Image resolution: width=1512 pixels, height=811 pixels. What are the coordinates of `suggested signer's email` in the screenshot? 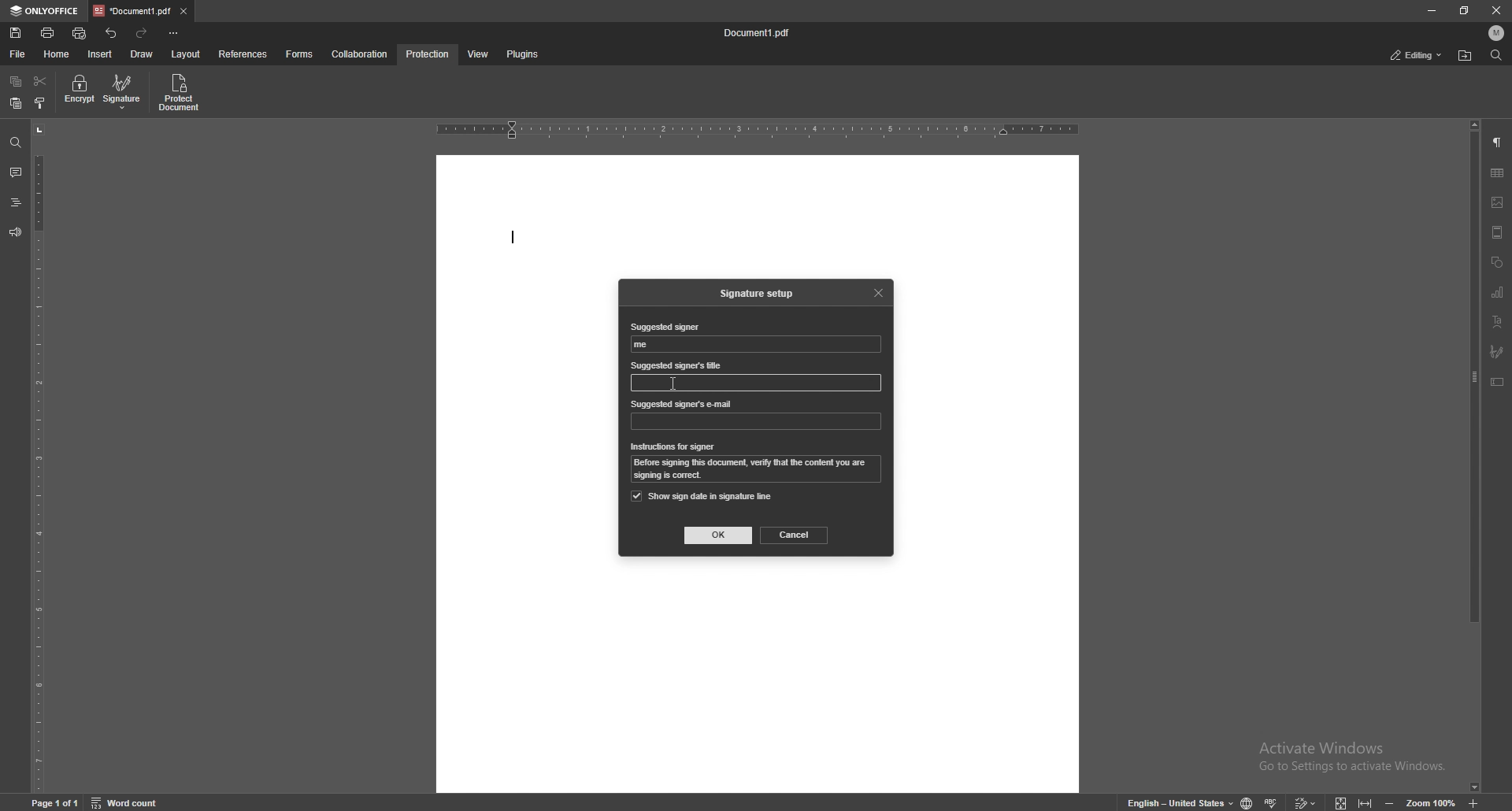 It's located at (683, 405).